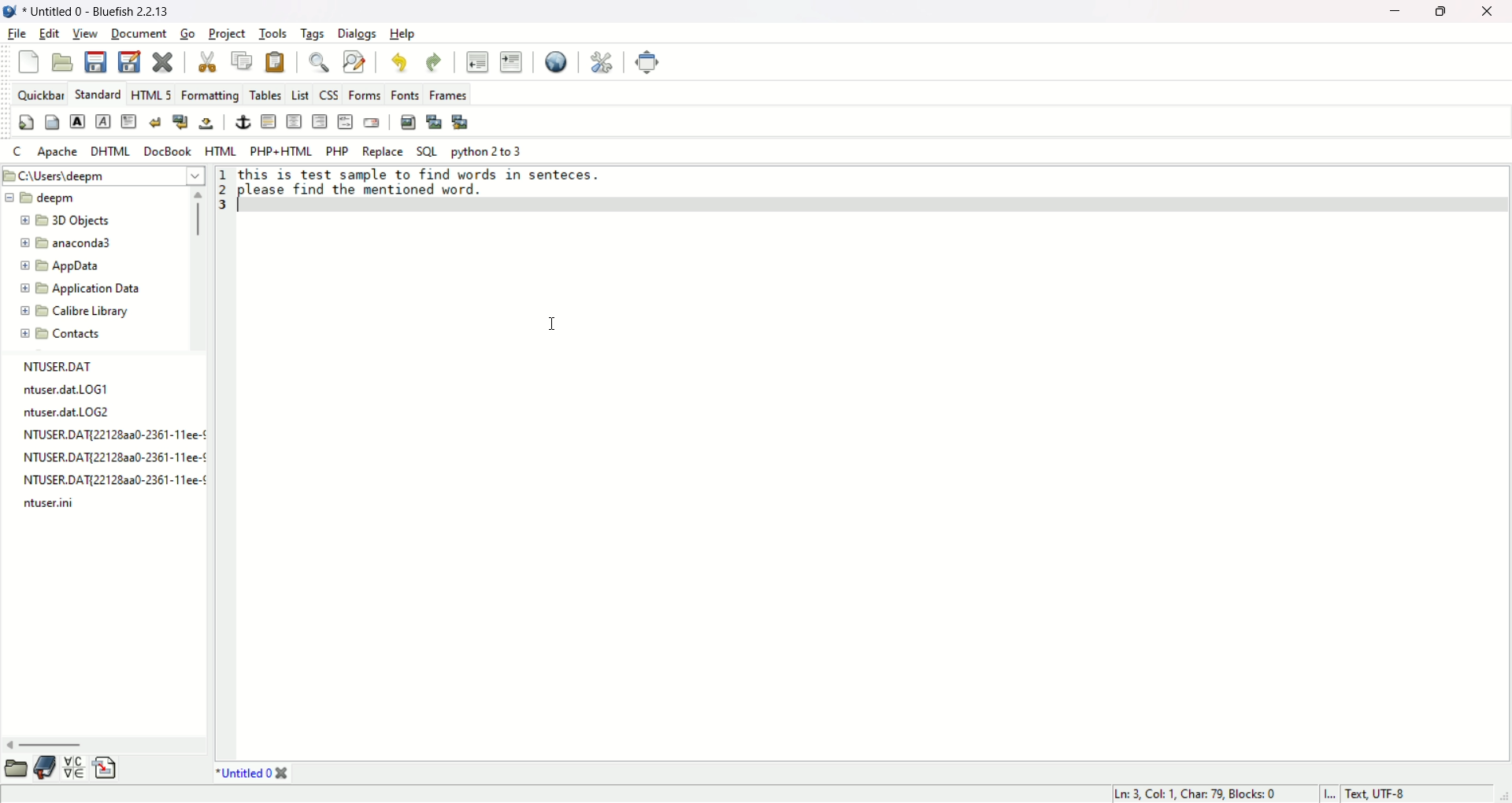 The width and height of the screenshot is (1512, 803). What do you see at coordinates (86, 34) in the screenshot?
I see `view` at bounding box center [86, 34].